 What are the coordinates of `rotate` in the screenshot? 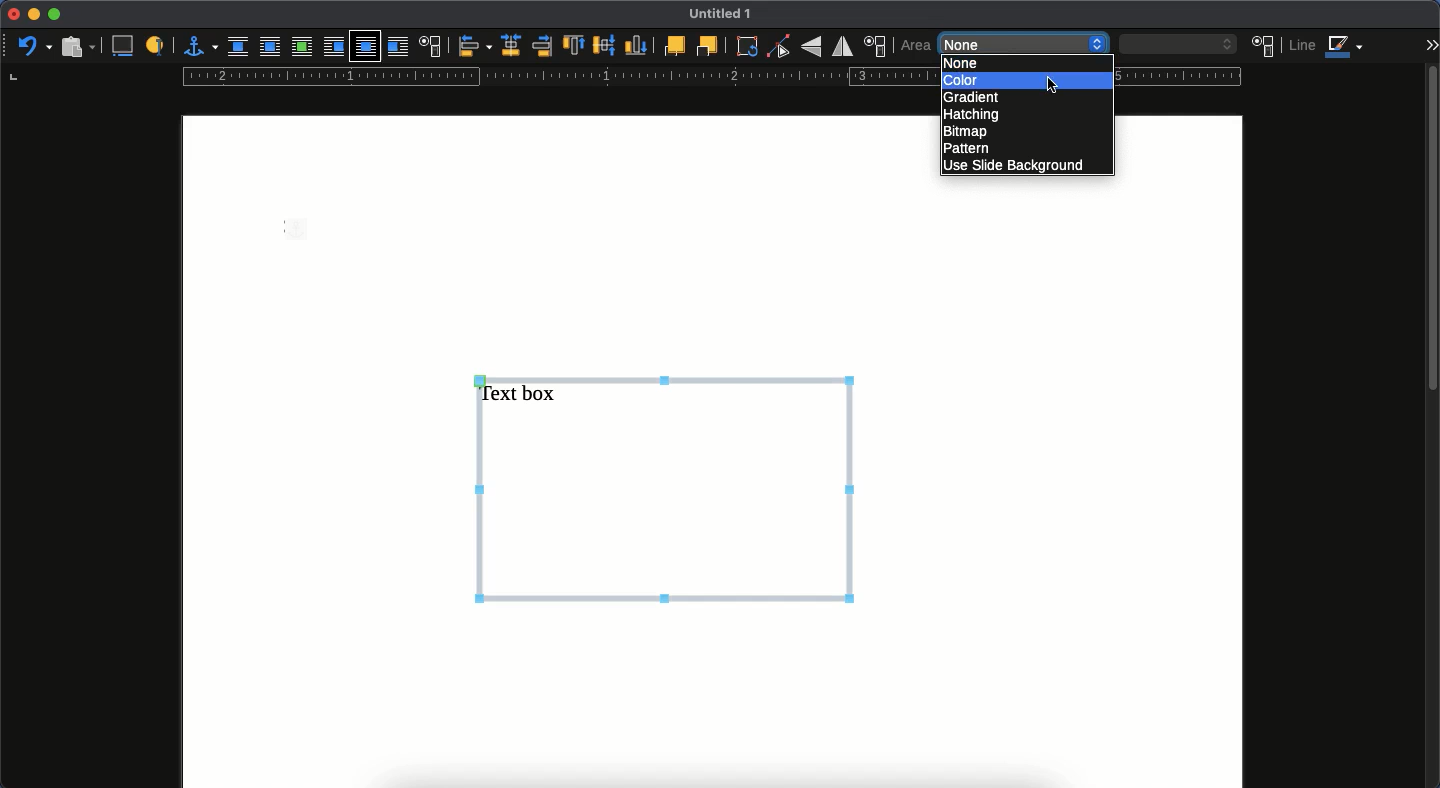 It's located at (747, 48).